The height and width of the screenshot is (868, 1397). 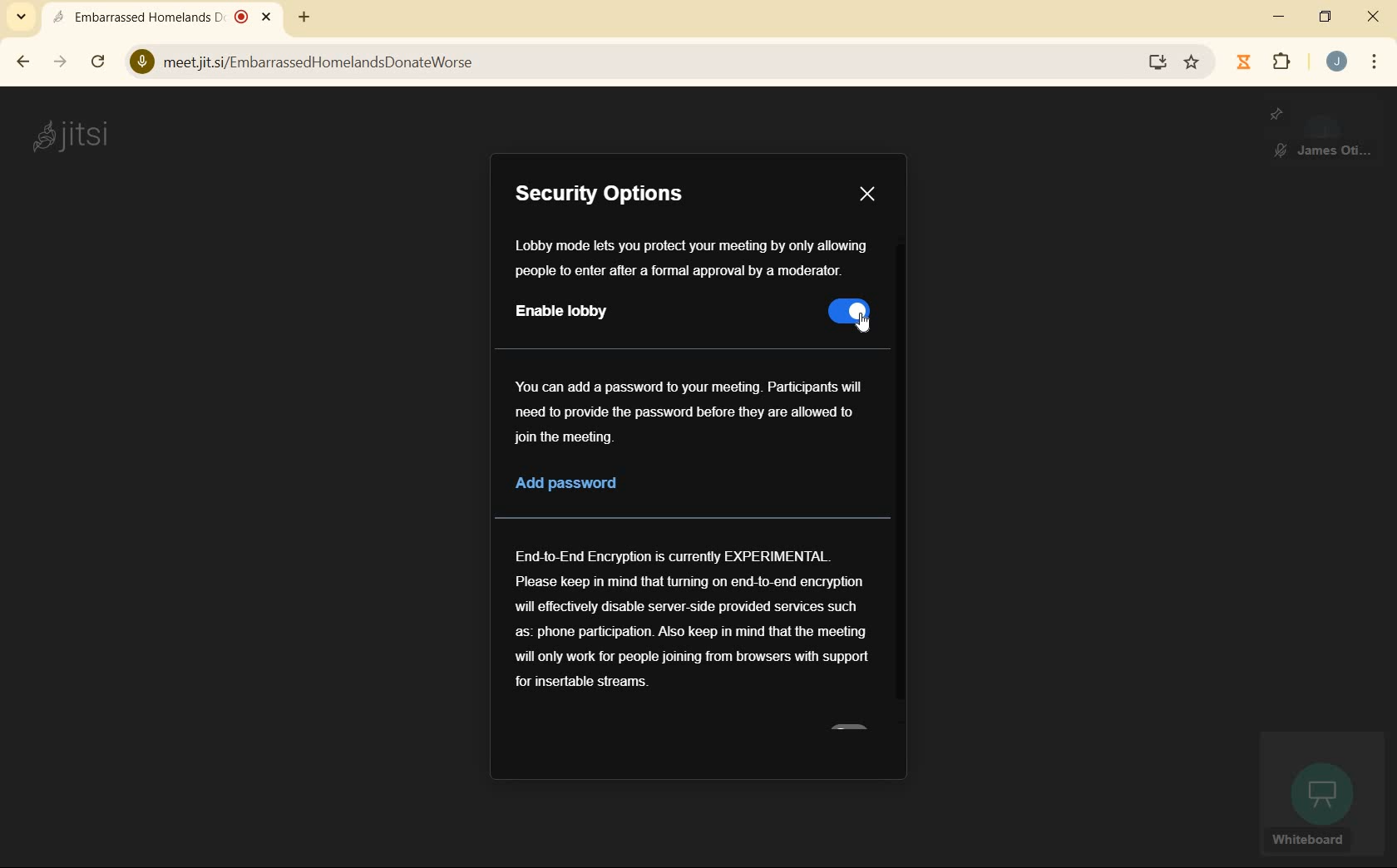 What do you see at coordinates (692, 617) in the screenshot?
I see `INFOR MATION ON END-TO-END ENCRYPTION` at bounding box center [692, 617].